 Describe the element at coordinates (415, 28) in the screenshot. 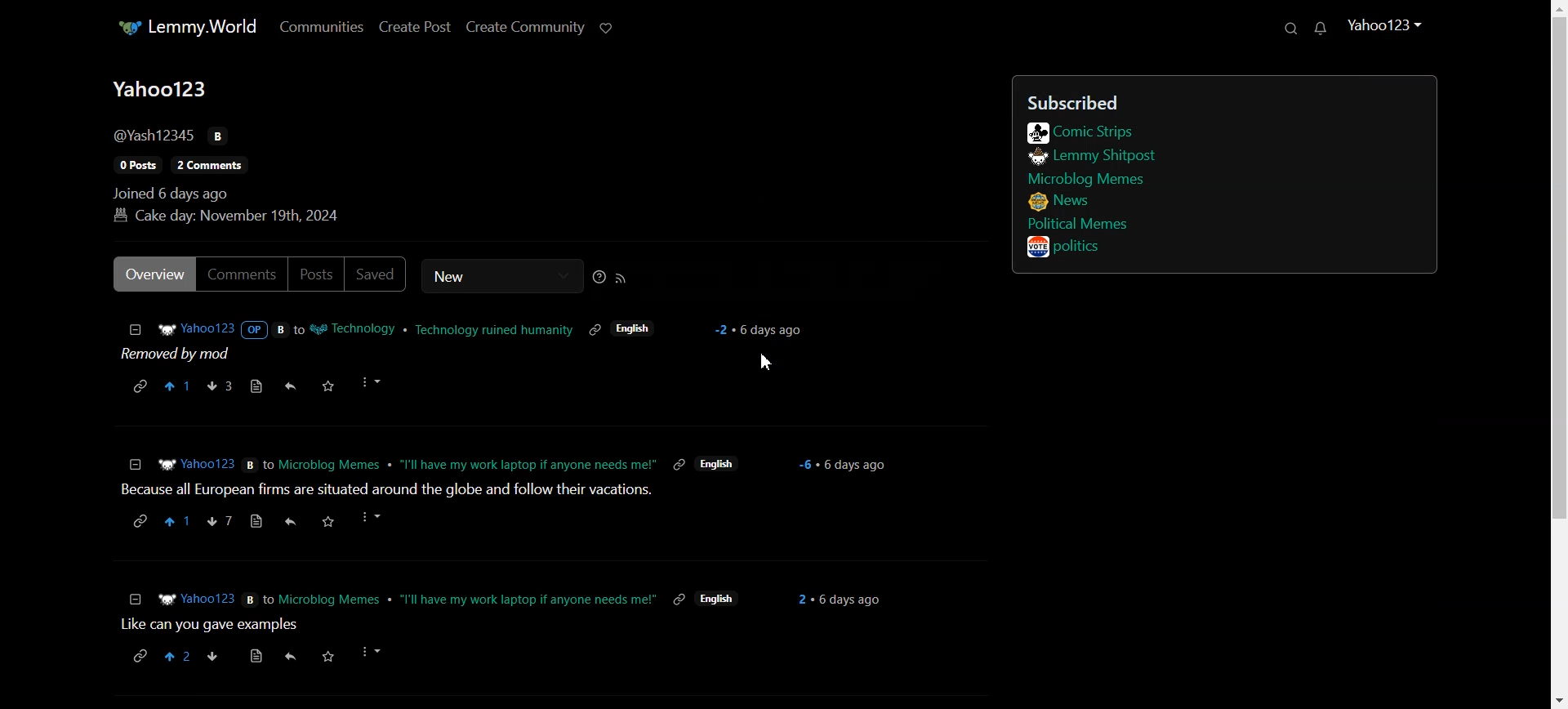

I see `Create Post` at that location.